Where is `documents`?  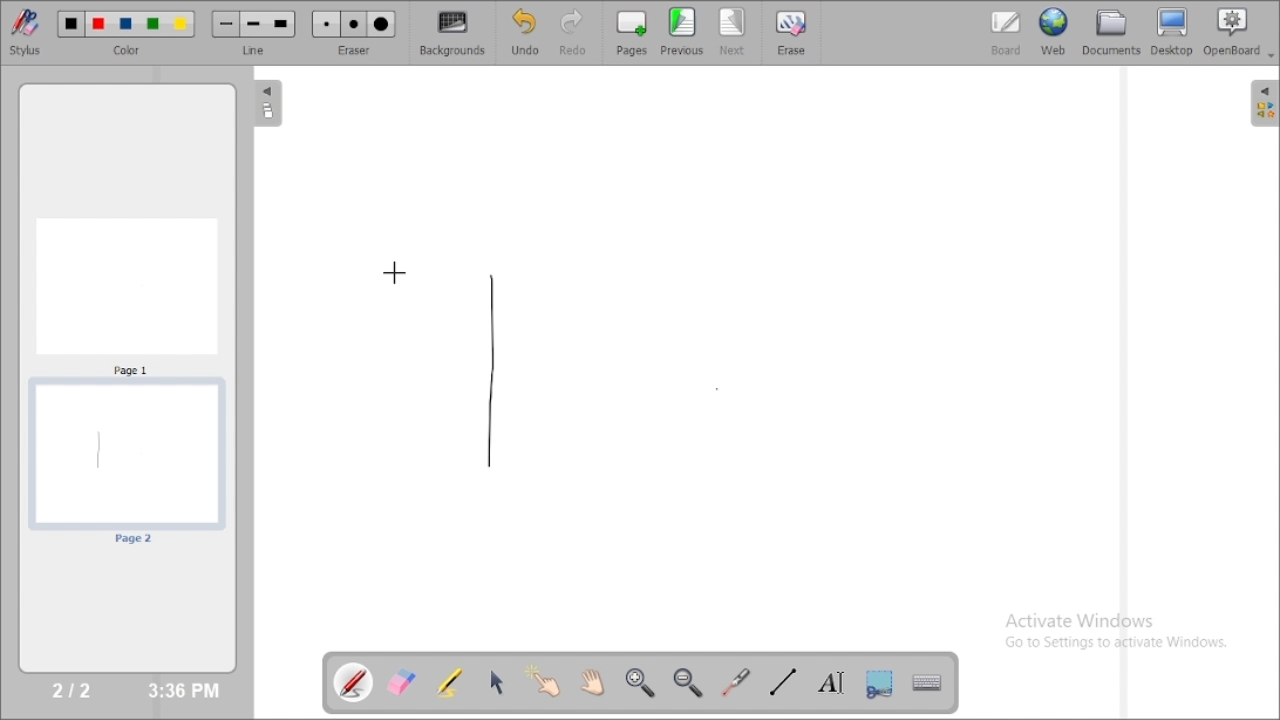 documents is located at coordinates (1110, 31).